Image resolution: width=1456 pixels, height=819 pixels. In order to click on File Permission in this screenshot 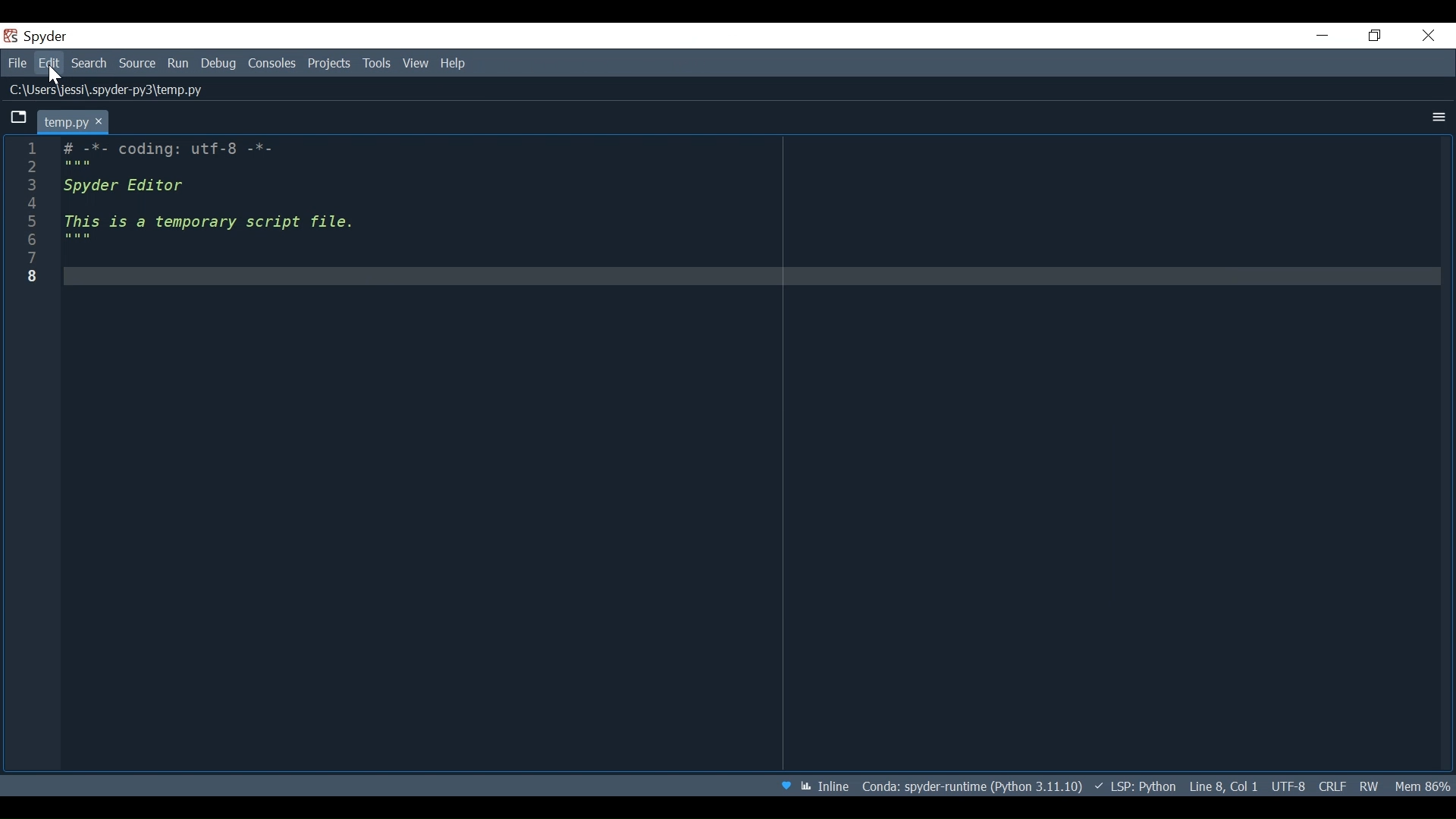, I will do `click(1372, 786)`.